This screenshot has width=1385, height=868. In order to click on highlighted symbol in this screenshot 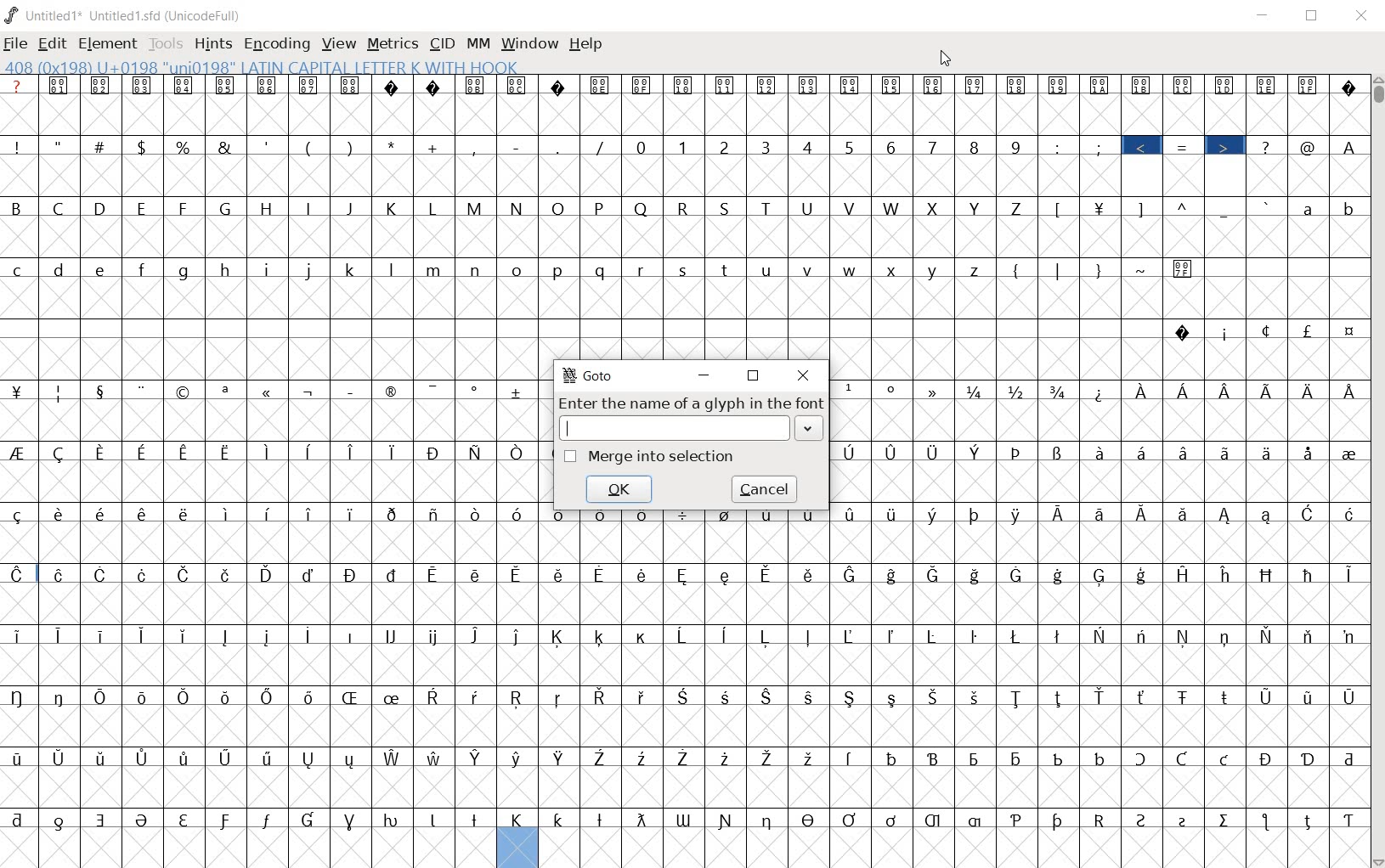, I will do `click(1142, 145)`.